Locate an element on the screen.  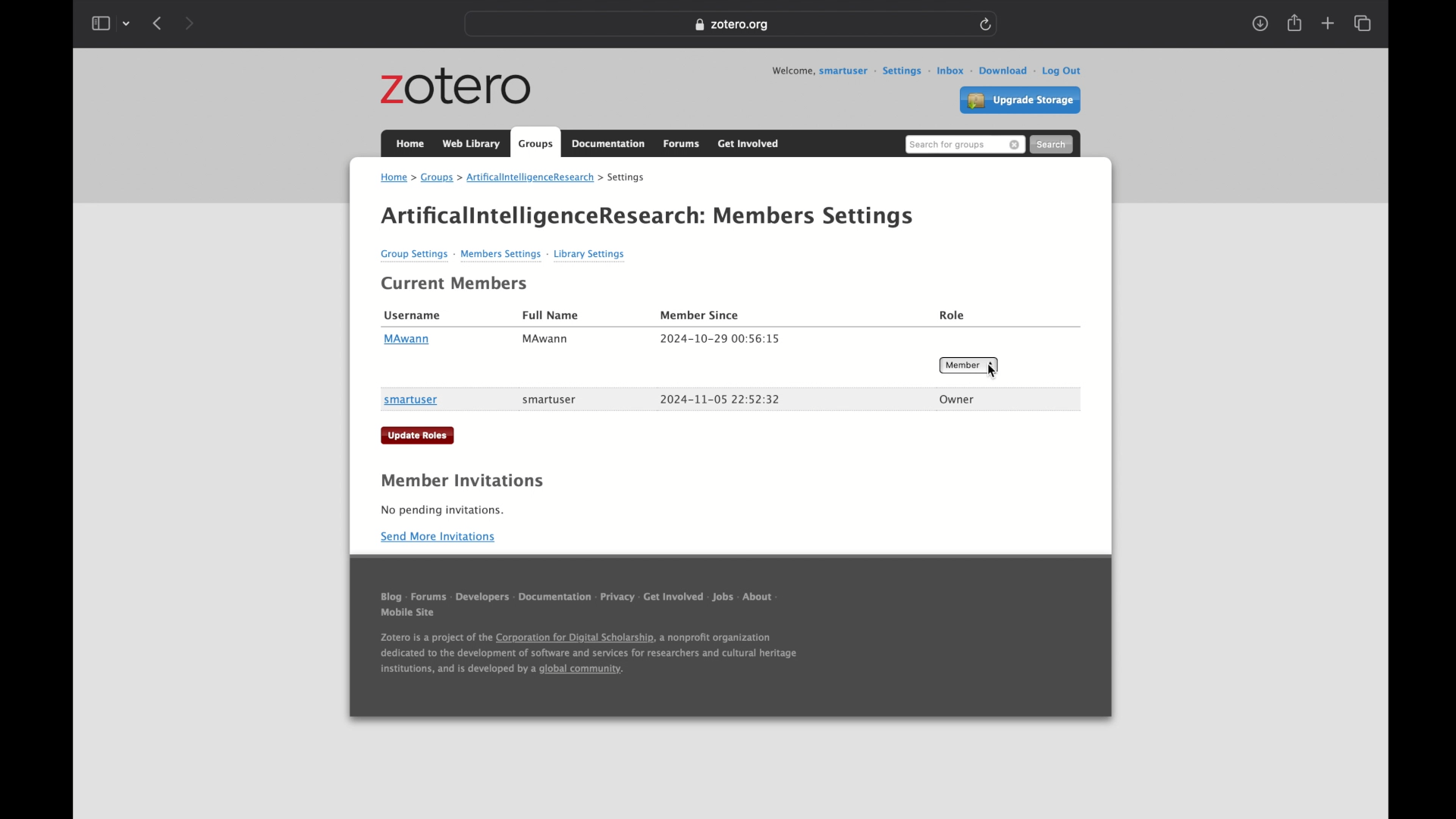
tab group picker is located at coordinates (127, 24).